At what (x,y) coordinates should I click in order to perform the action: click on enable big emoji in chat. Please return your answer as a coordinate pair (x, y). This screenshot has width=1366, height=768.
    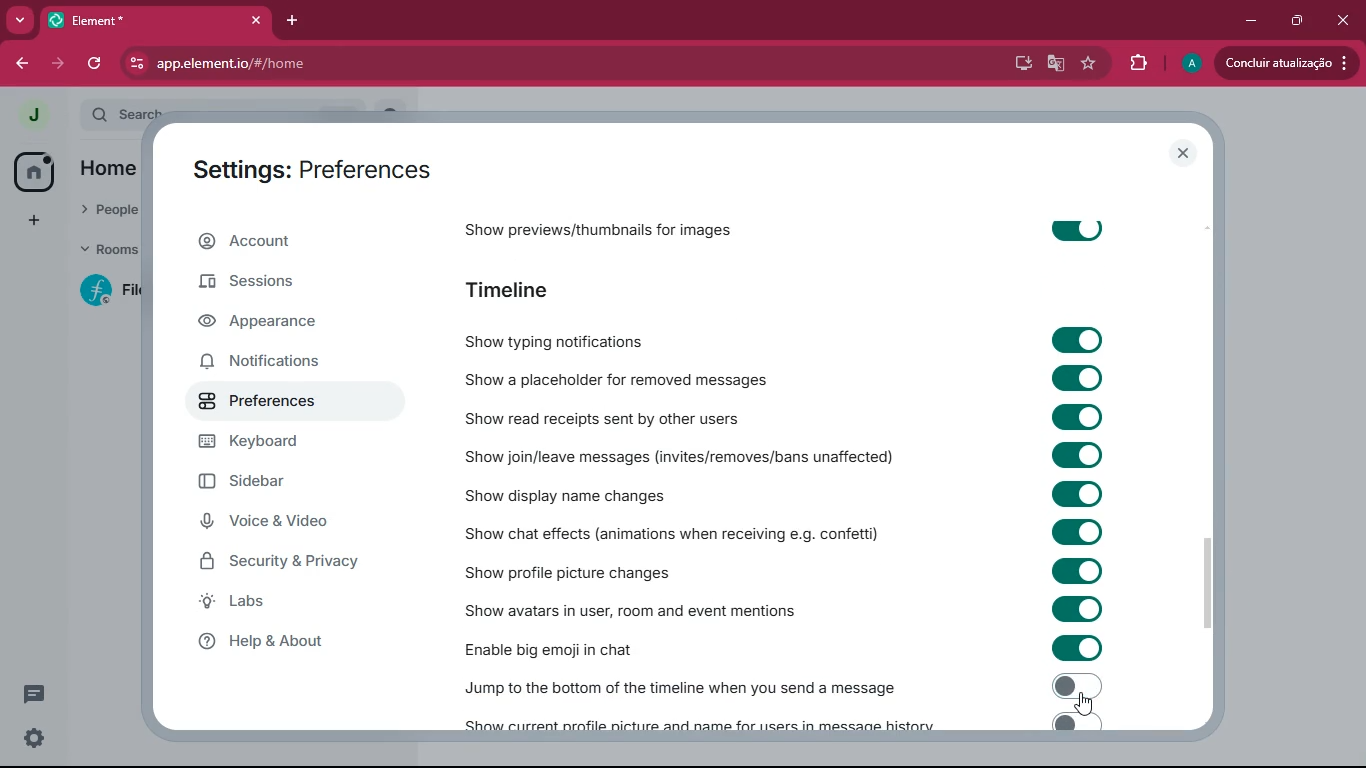
    Looking at the image, I should click on (565, 645).